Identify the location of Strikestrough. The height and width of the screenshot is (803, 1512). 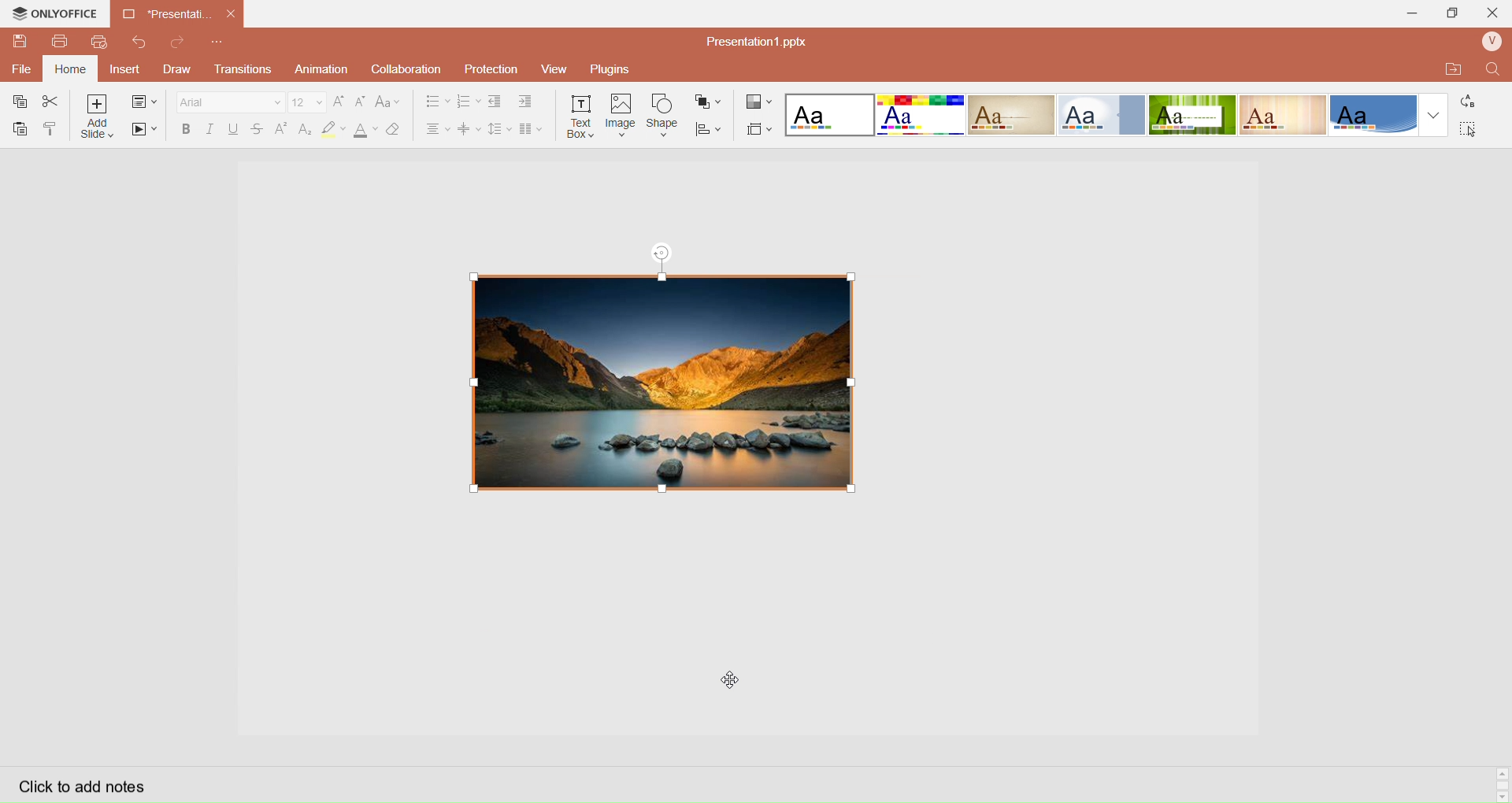
(256, 129).